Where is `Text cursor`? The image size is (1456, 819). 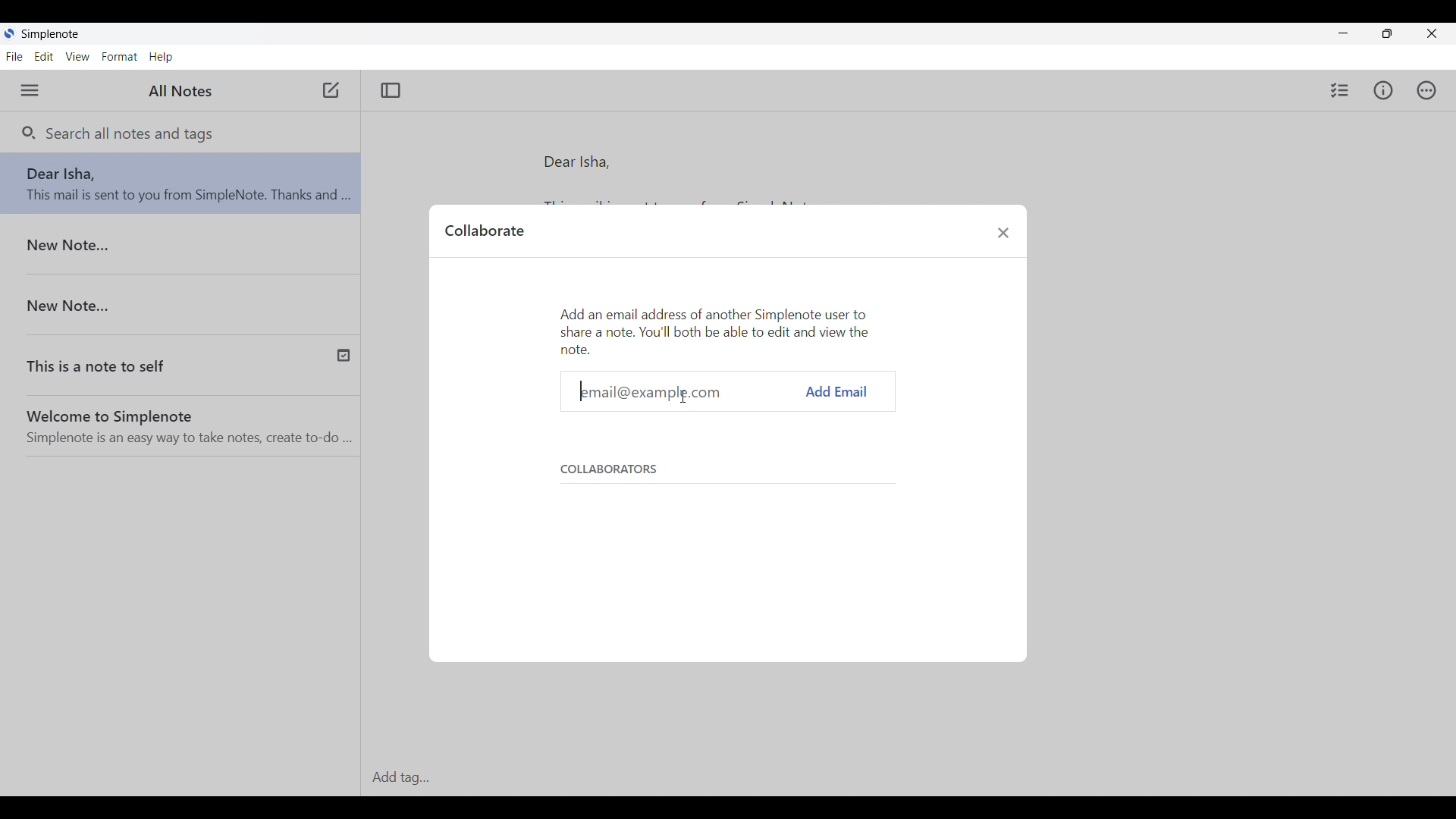 Text cursor is located at coordinates (573, 395).